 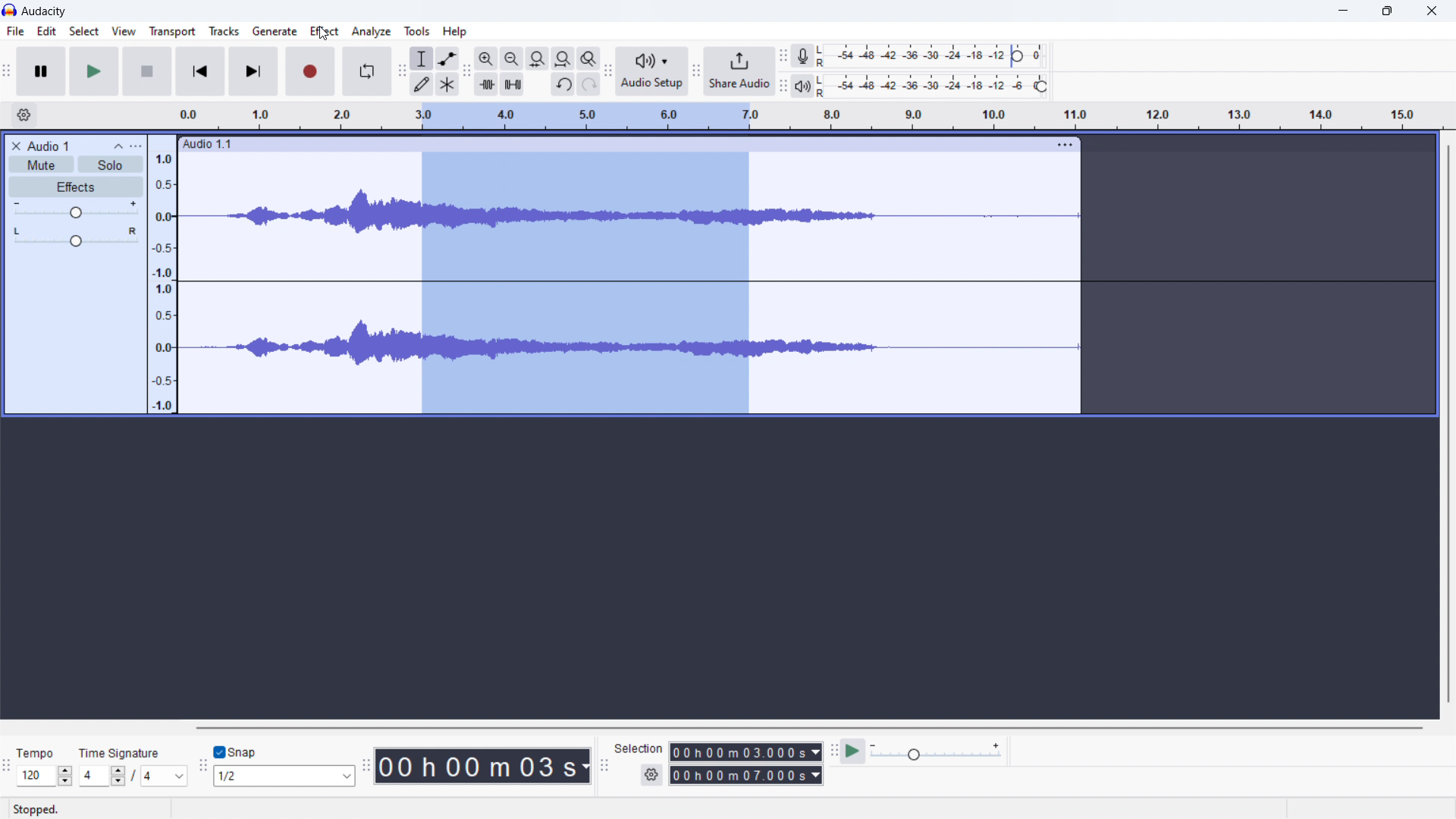 What do you see at coordinates (745, 752) in the screenshot?
I see `00 h 00 m 03.000s` at bounding box center [745, 752].